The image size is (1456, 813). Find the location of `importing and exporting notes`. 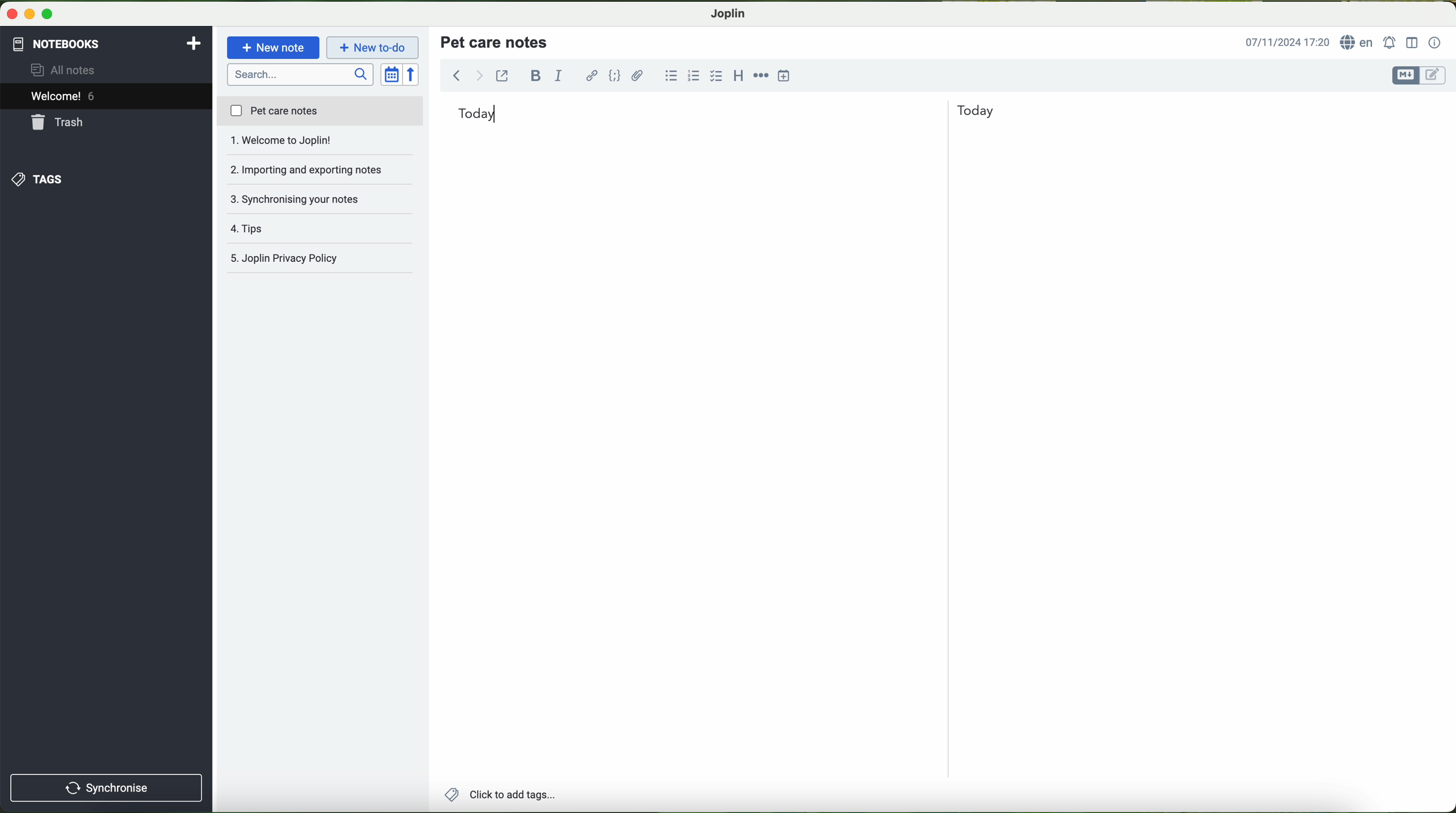

importing and exporting notes is located at coordinates (320, 144).